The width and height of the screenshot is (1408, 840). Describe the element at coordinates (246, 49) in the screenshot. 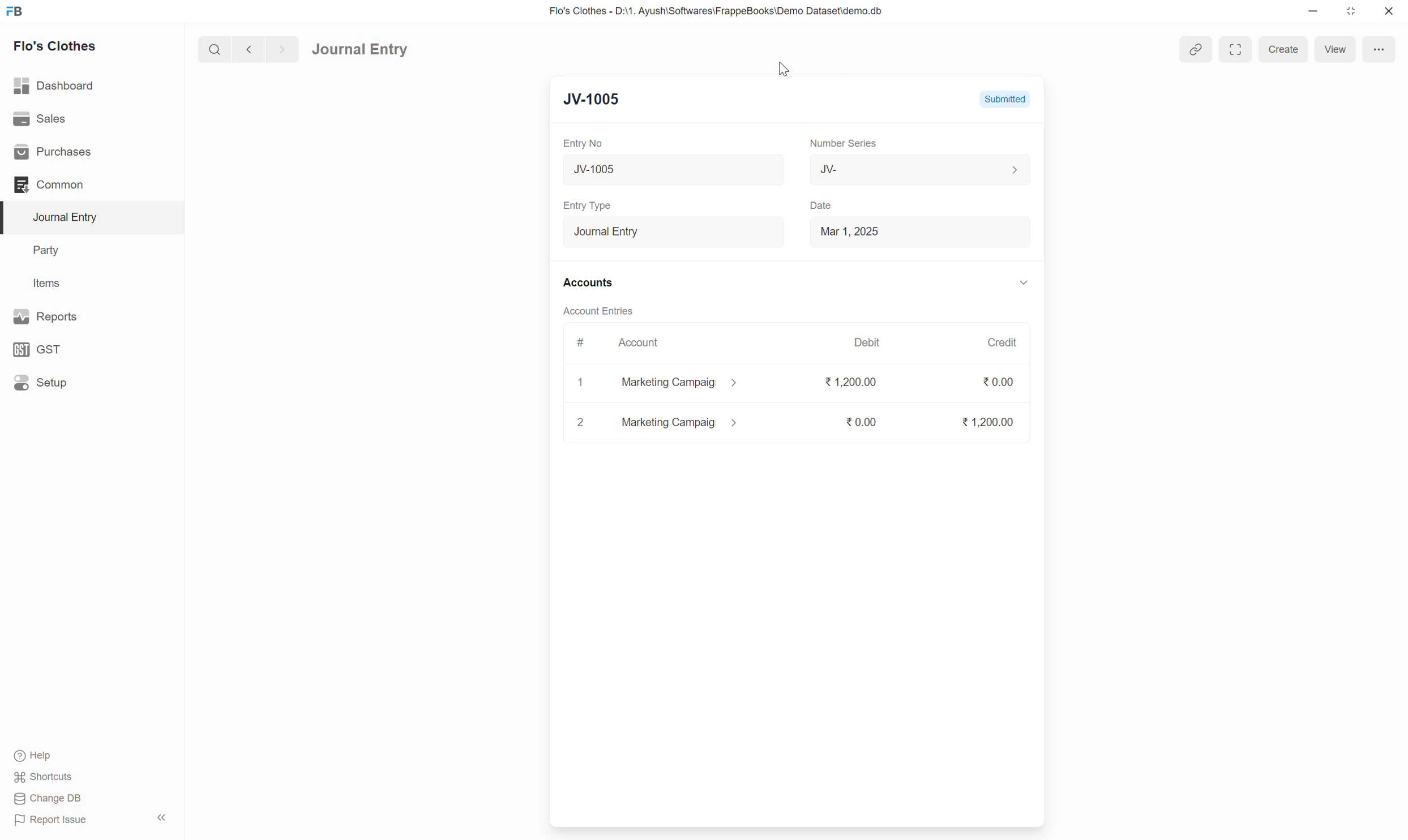

I see `back` at that location.